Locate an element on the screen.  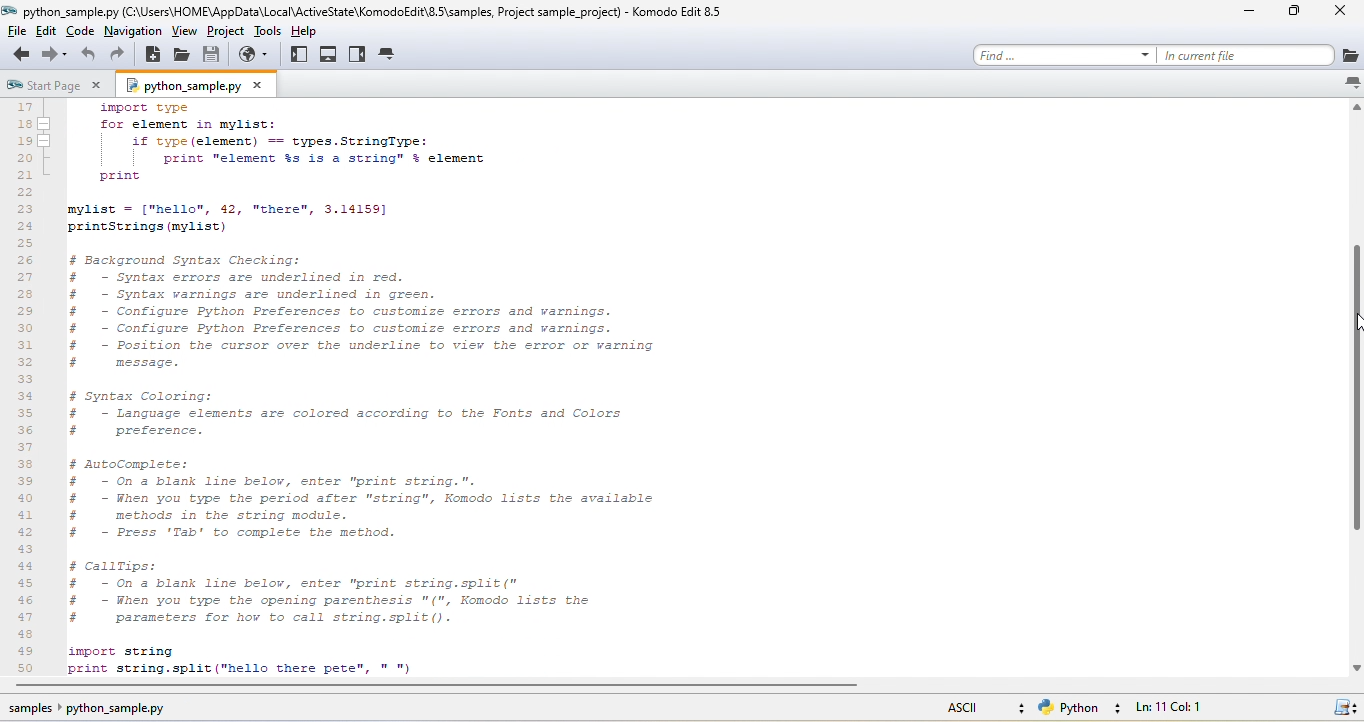
edit is located at coordinates (49, 31).